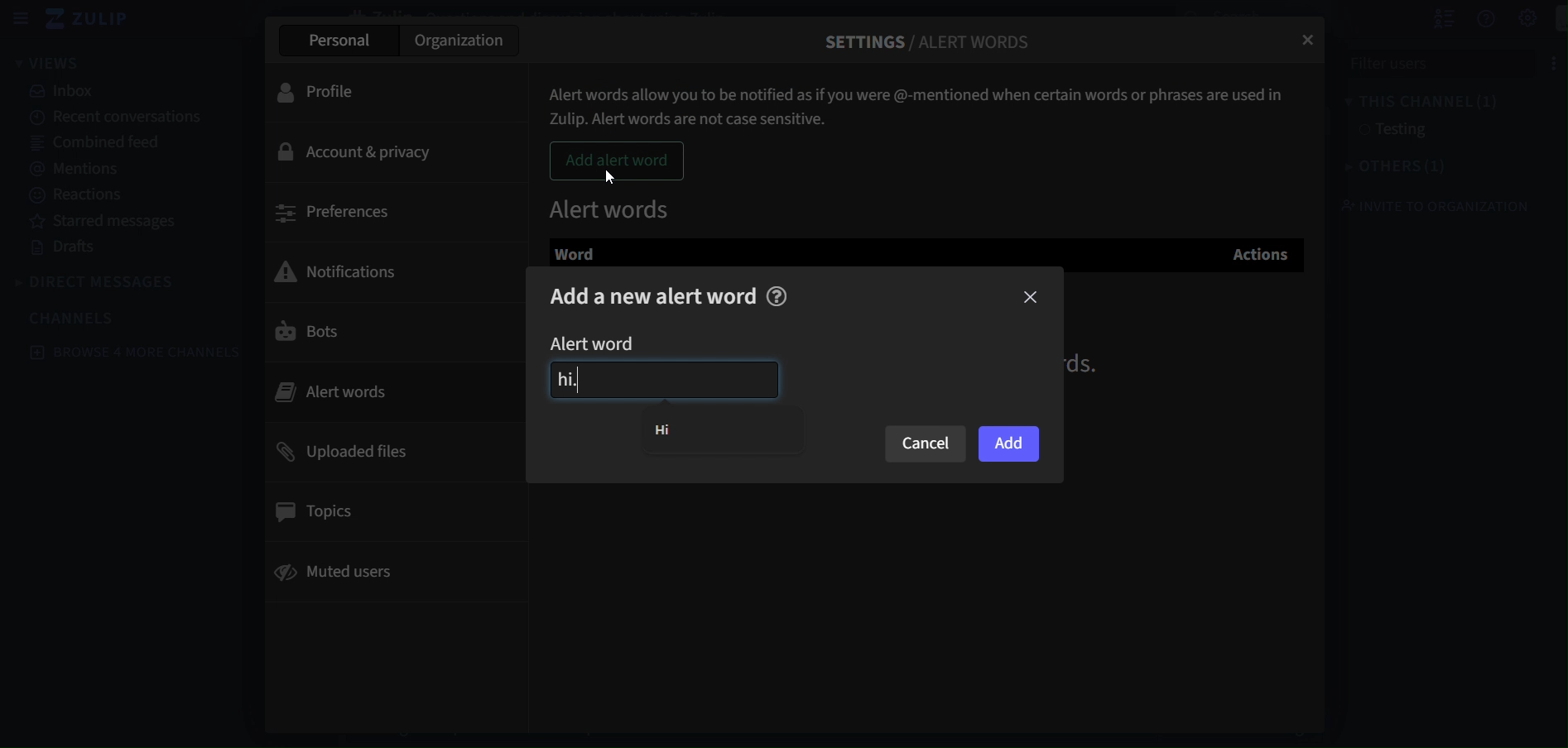 Image resolution: width=1568 pixels, height=748 pixels. I want to click on help icon, so click(778, 295).